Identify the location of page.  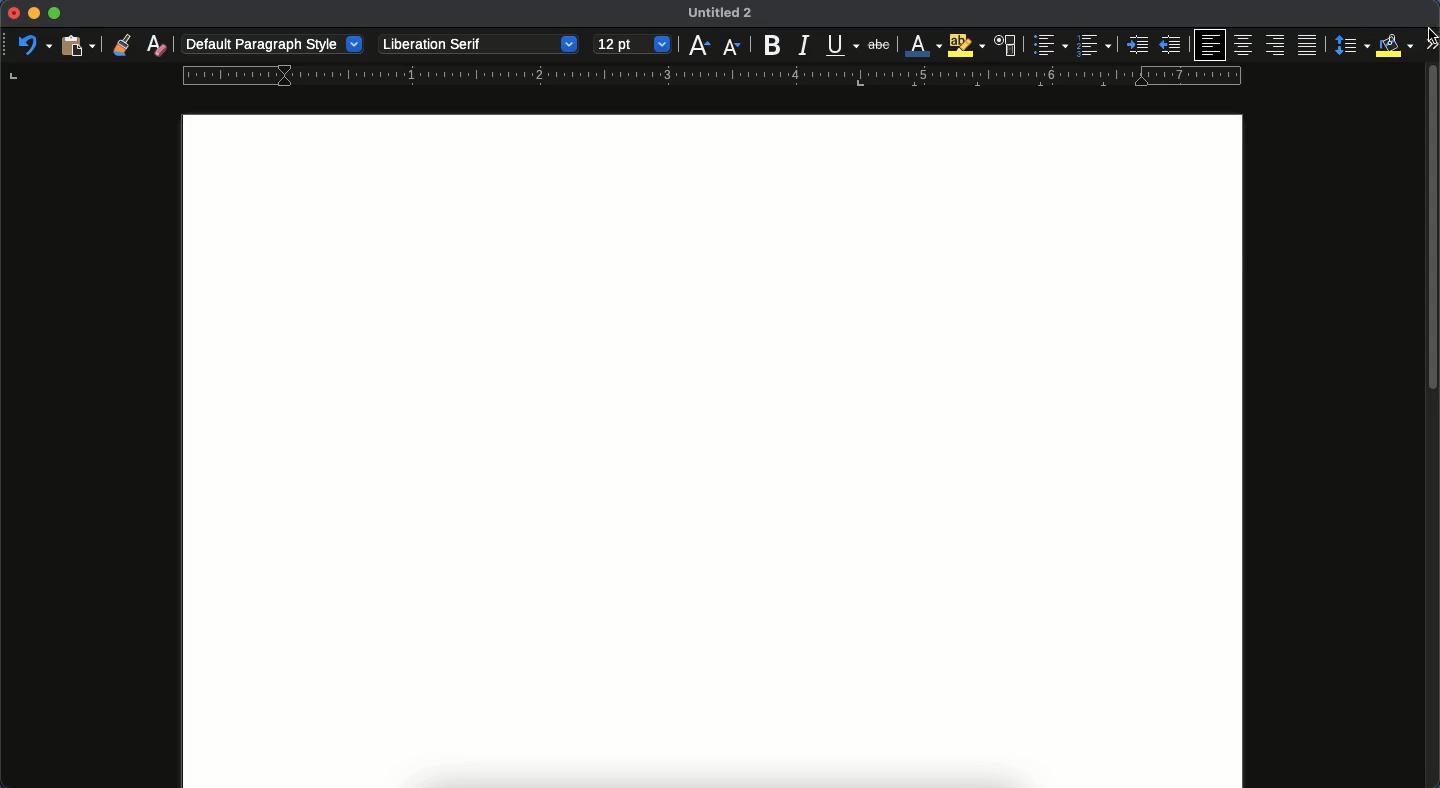
(713, 450).